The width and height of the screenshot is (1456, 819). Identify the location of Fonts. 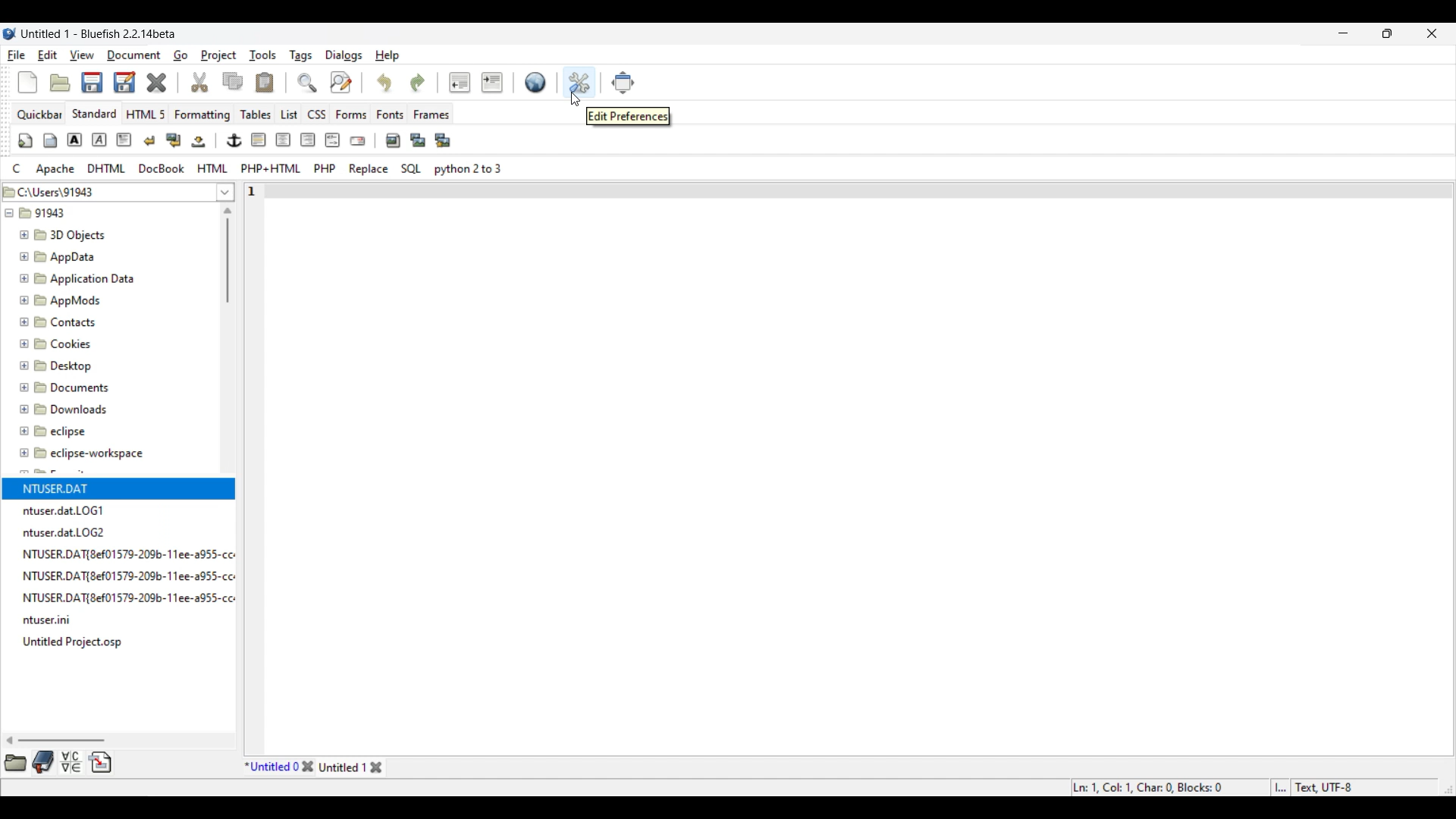
(391, 114).